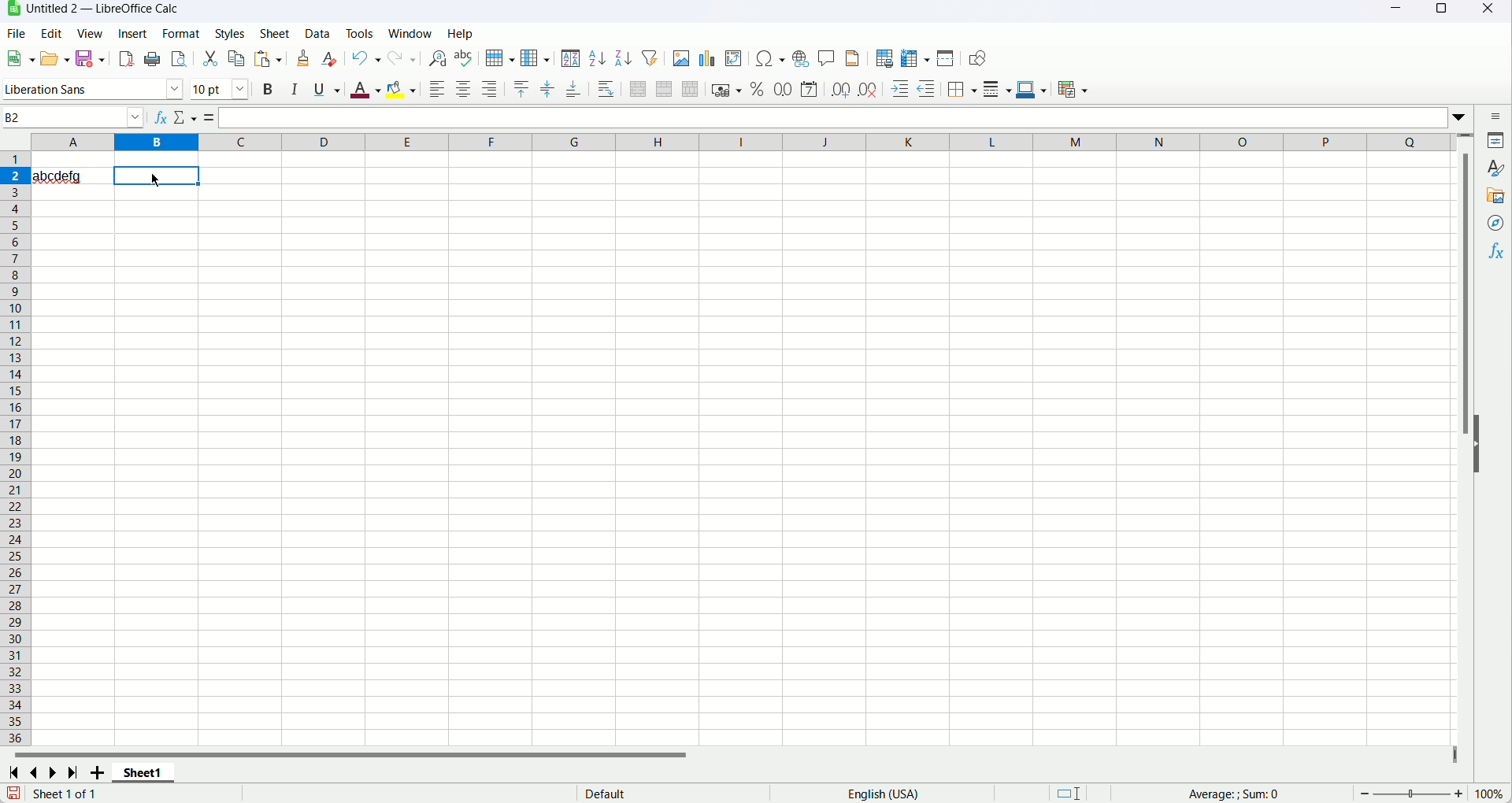 The width and height of the screenshot is (1512, 803). What do you see at coordinates (500, 59) in the screenshot?
I see `row` at bounding box center [500, 59].